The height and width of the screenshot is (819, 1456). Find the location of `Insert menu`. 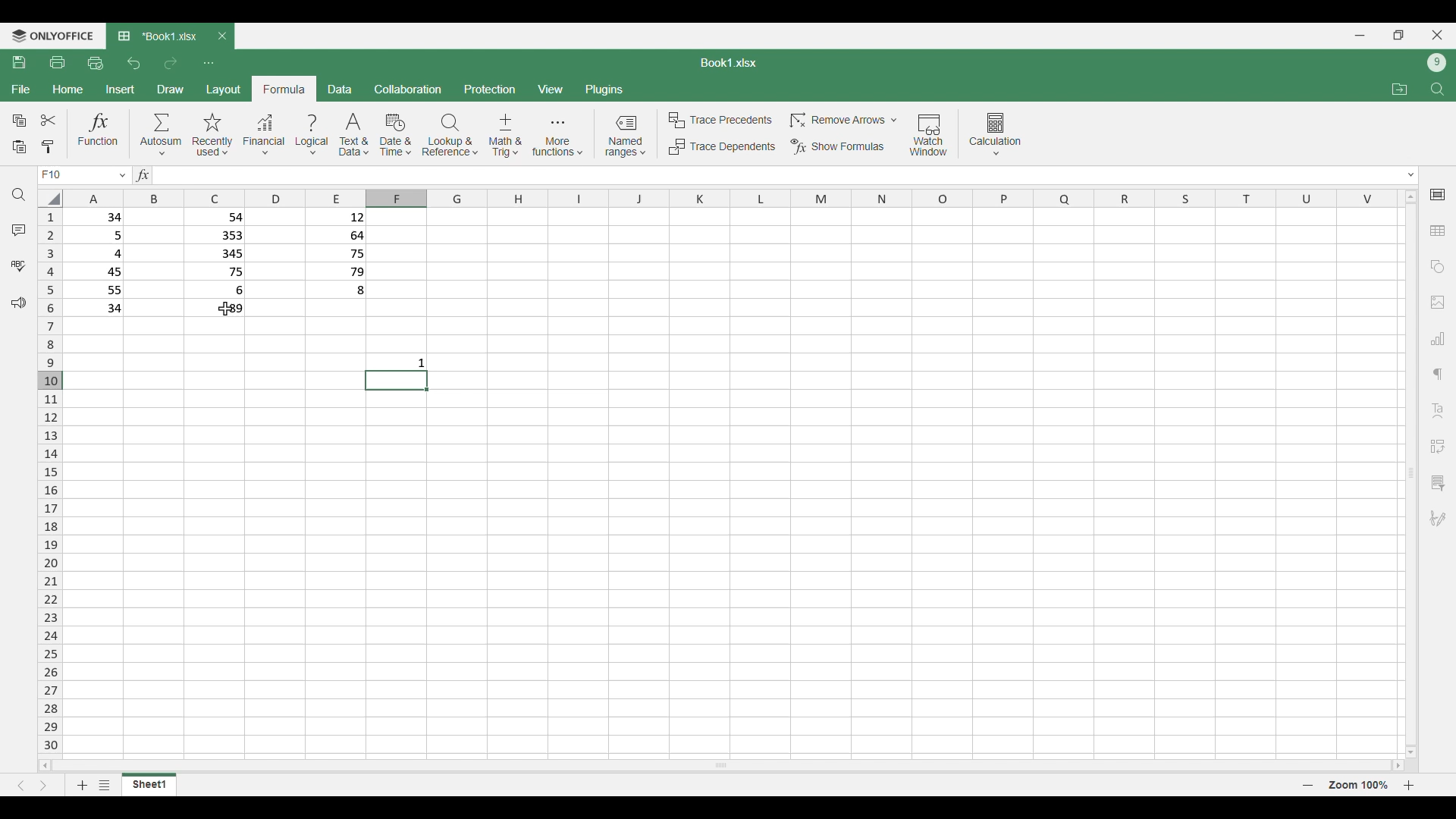

Insert menu is located at coordinates (120, 89).